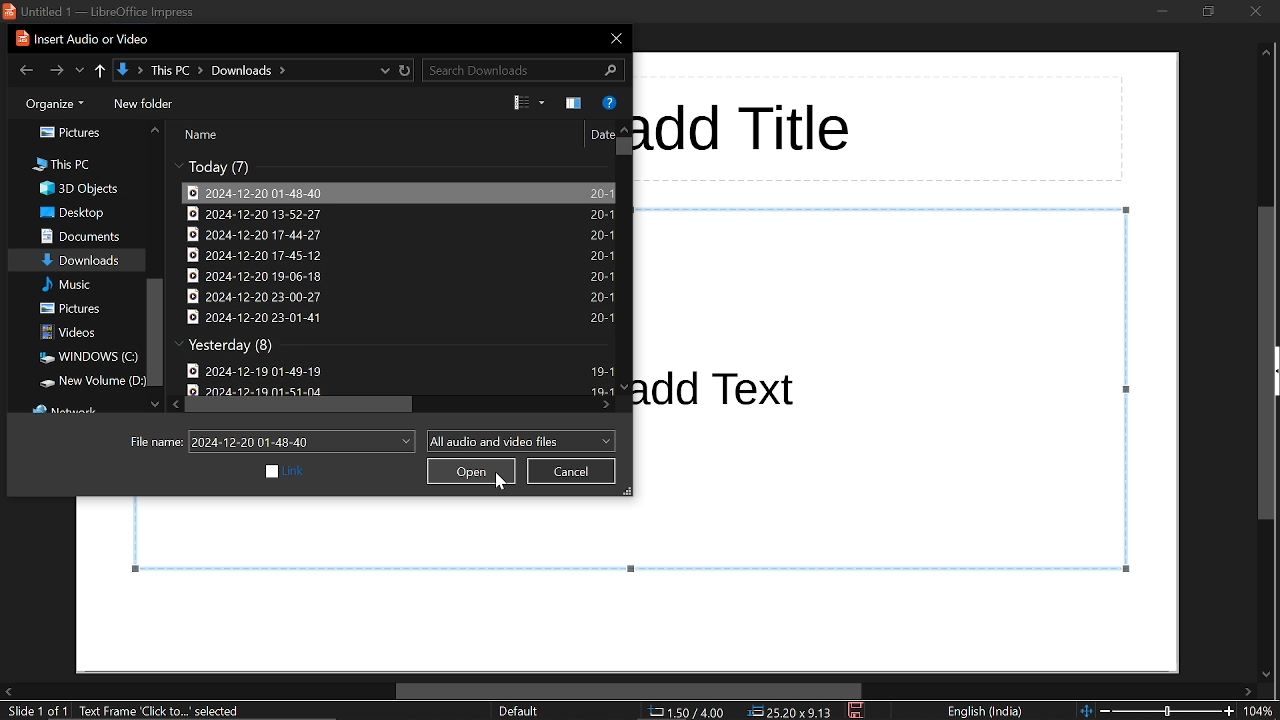 The width and height of the screenshot is (1280, 720). What do you see at coordinates (614, 37) in the screenshot?
I see `close` at bounding box center [614, 37].